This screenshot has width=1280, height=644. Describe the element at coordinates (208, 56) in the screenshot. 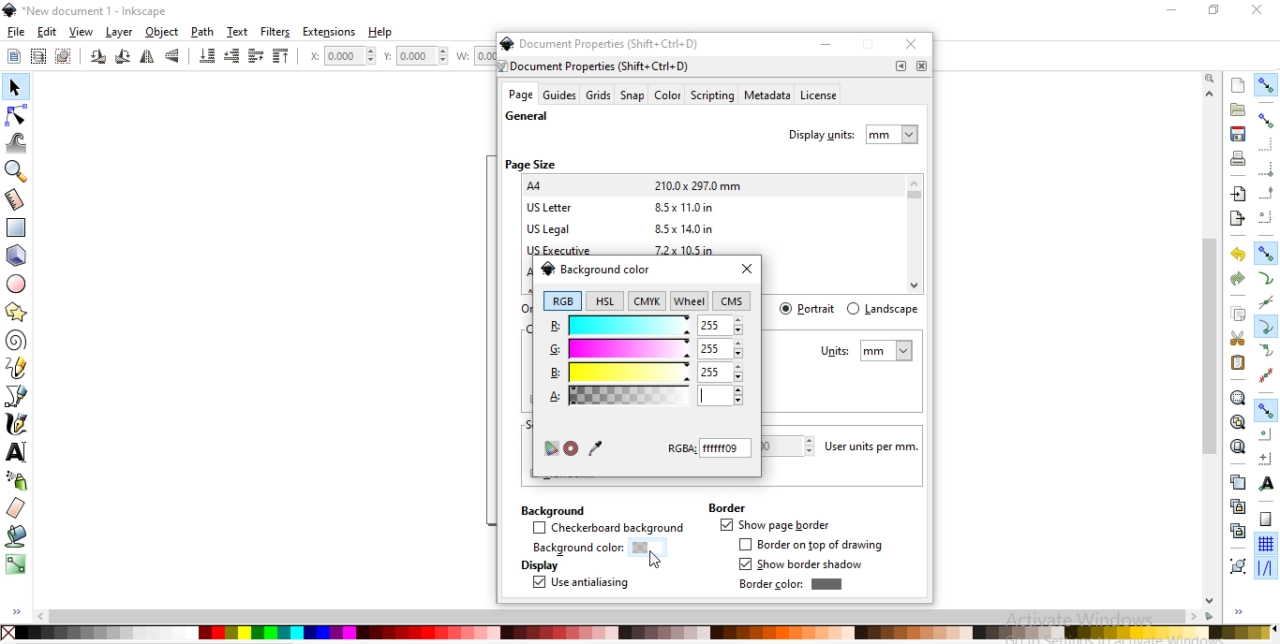

I see `lower selection to bottom` at that location.